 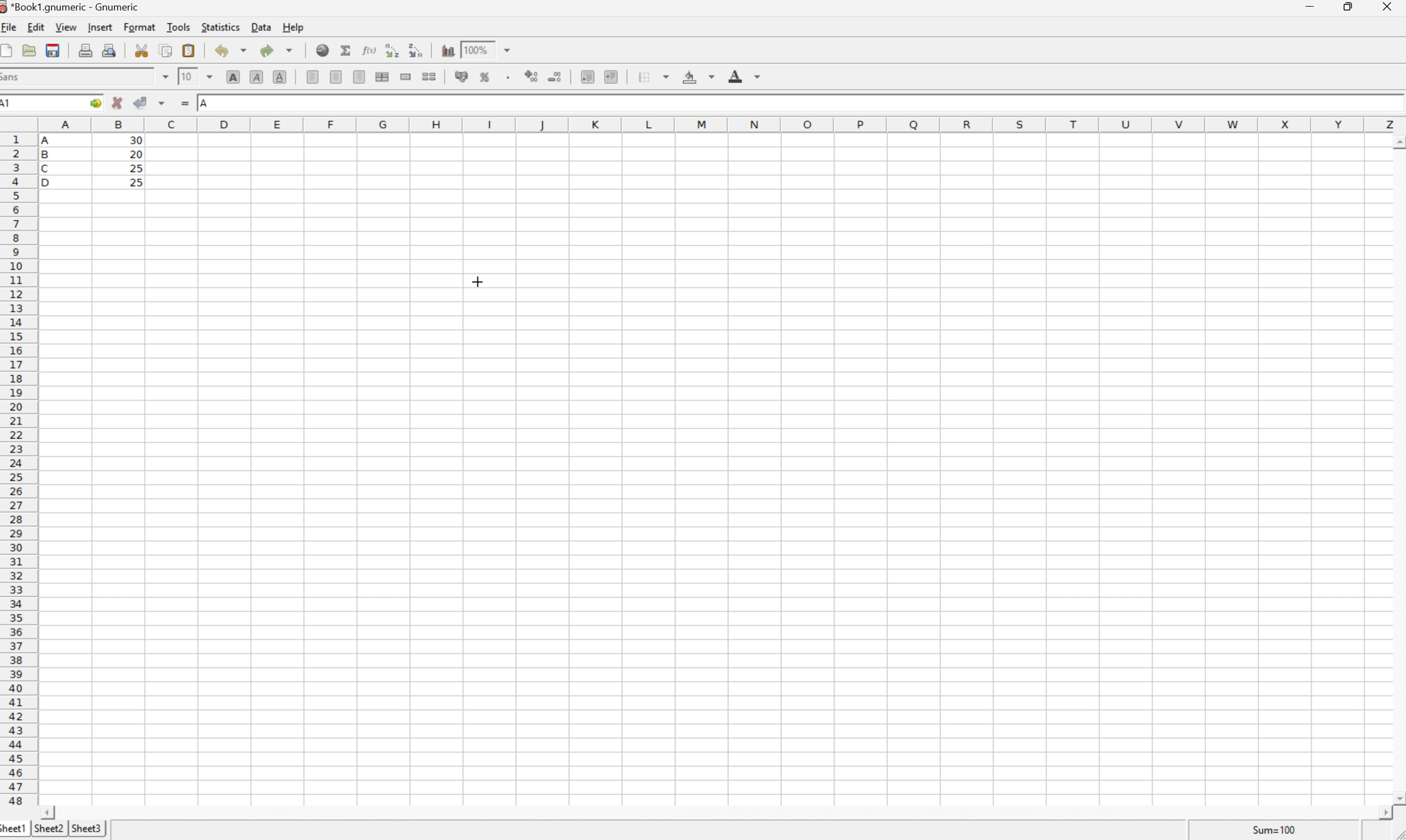 What do you see at coordinates (721, 123) in the screenshot?
I see `Column names` at bounding box center [721, 123].